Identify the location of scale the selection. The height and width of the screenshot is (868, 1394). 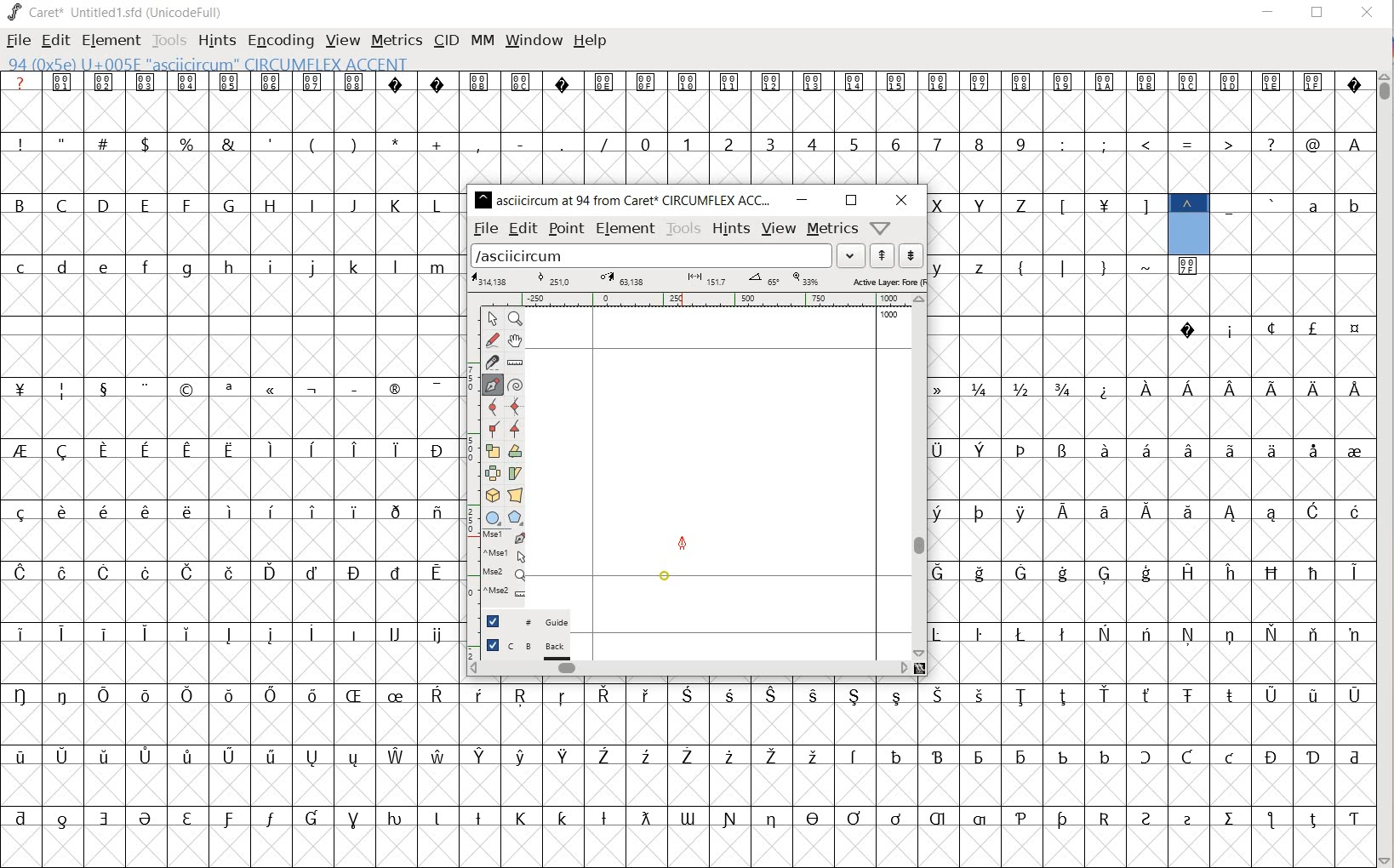
(492, 451).